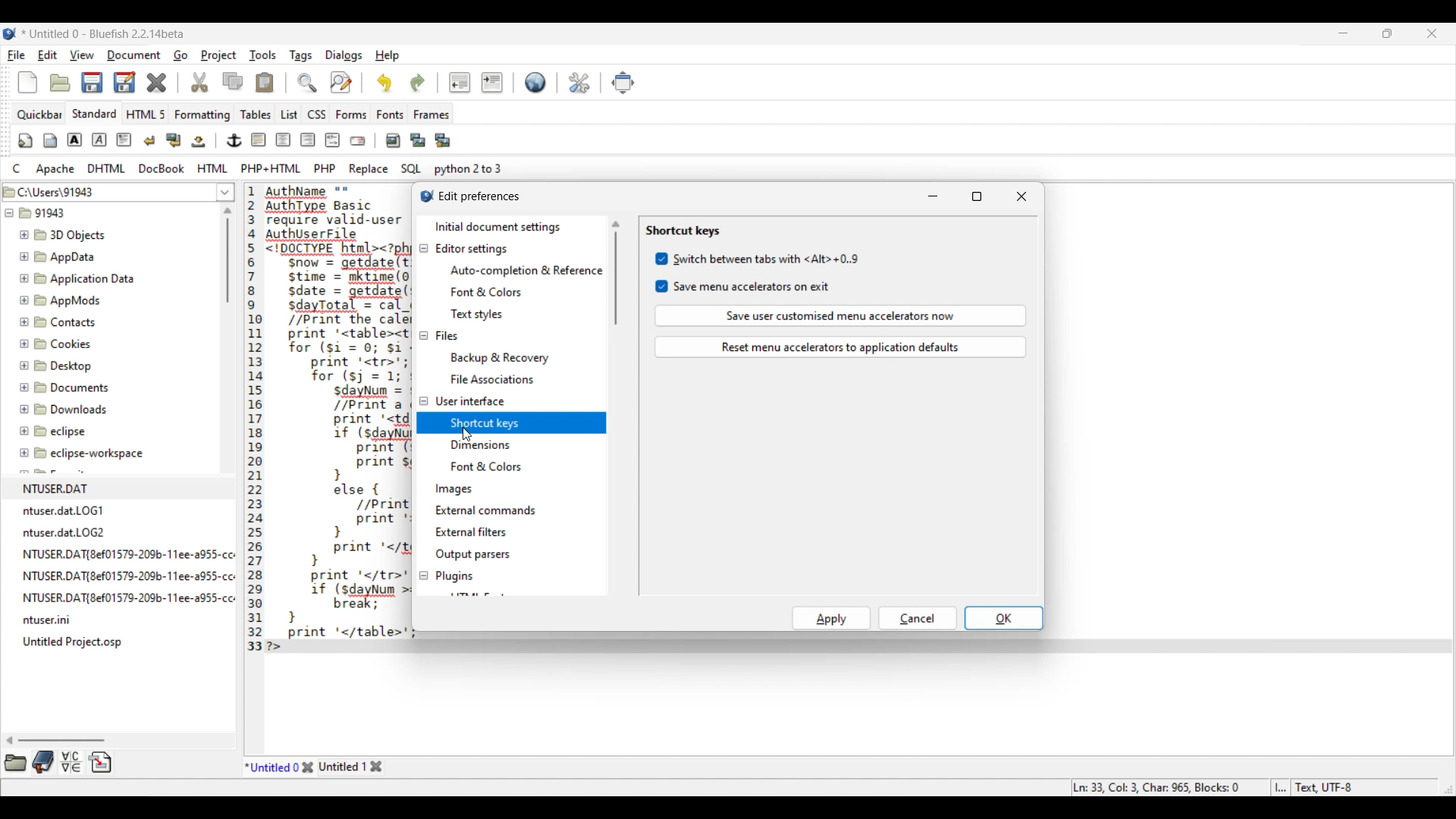 This screenshot has width=1456, height=819. Describe the element at coordinates (289, 115) in the screenshot. I see `List` at that location.